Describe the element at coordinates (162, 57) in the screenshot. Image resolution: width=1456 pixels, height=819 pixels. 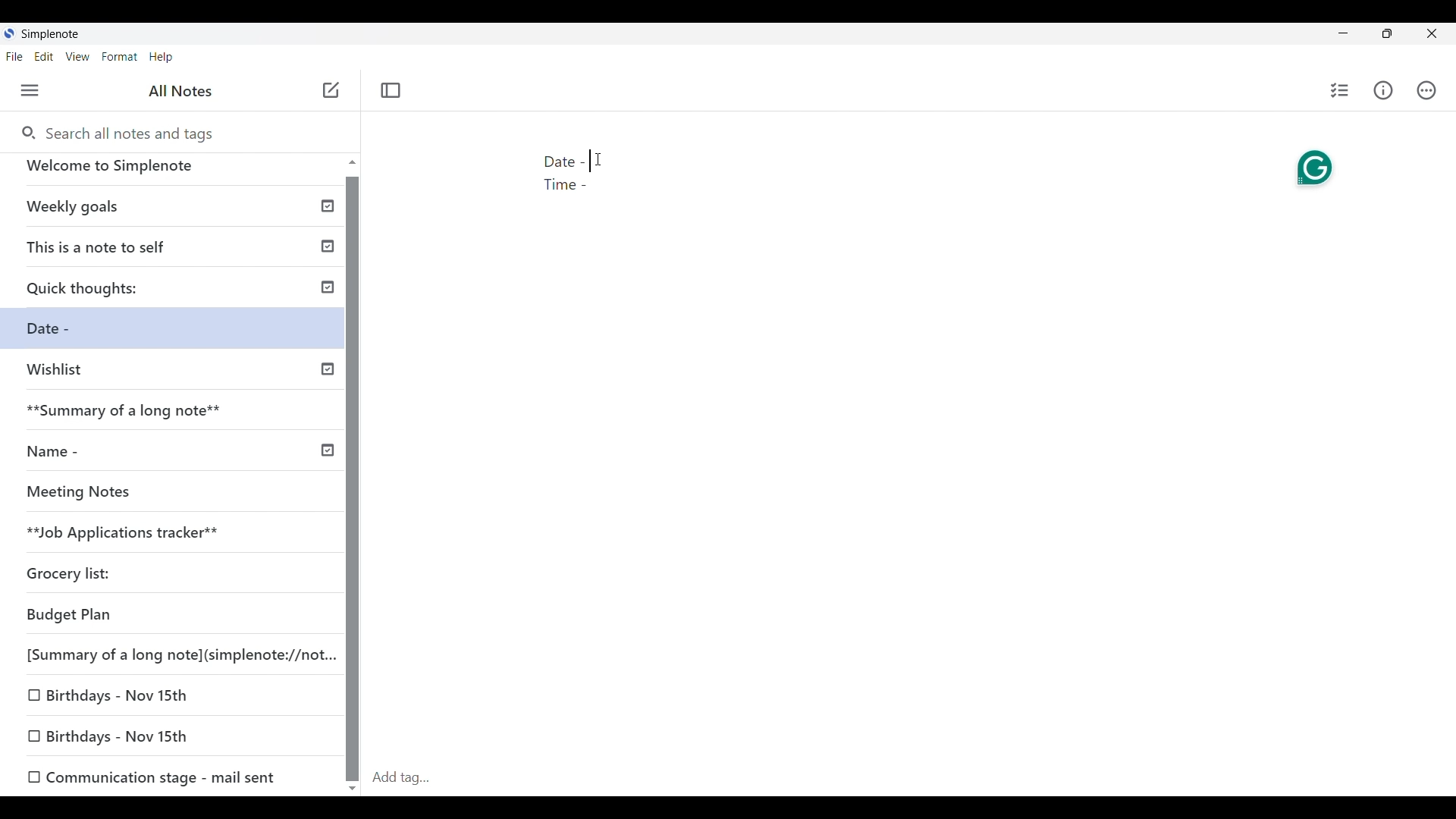
I see `Help menu` at that location.